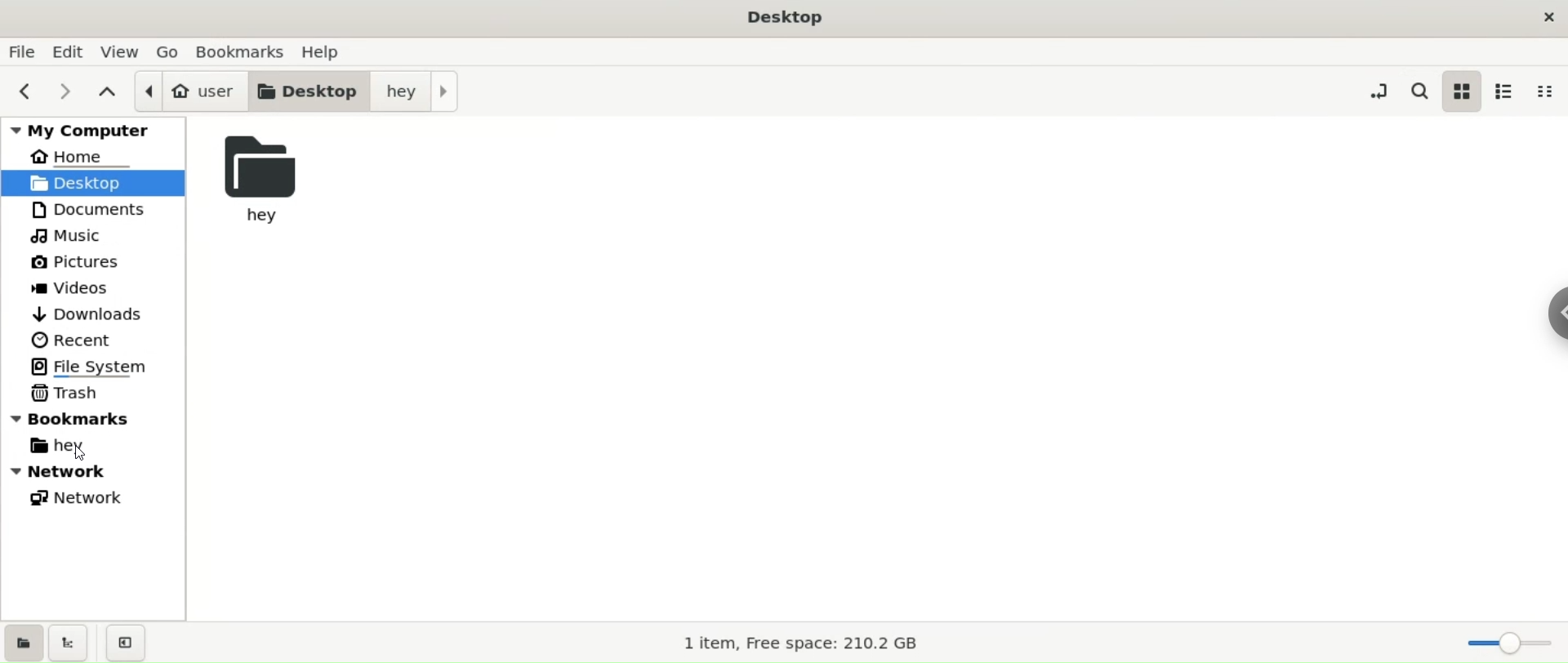  What do you see at coordinates (1419, 91) in the screenshot?
I see `search` at bounding box center [1419, 91].